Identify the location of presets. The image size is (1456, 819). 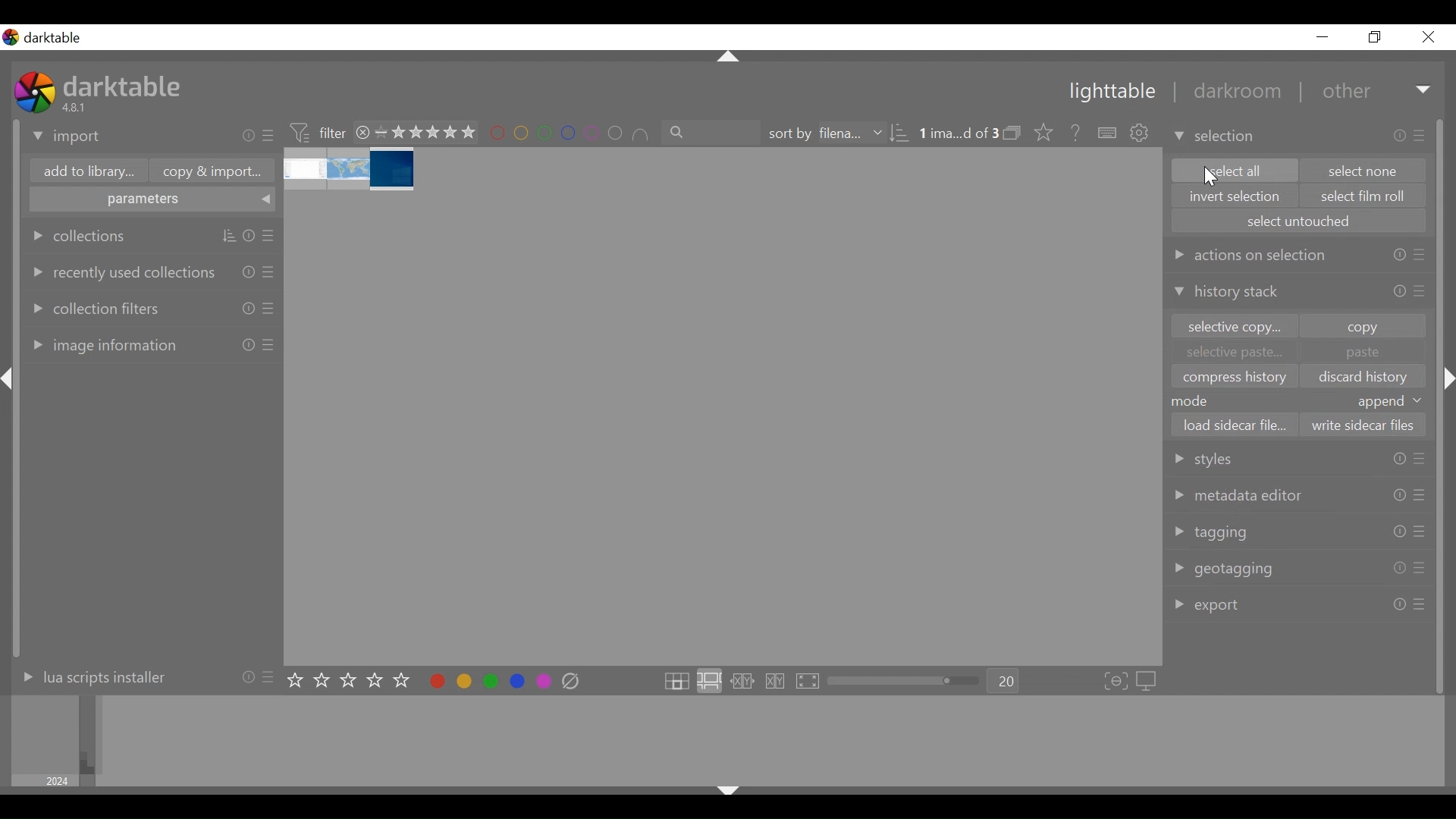
(1419, 458).